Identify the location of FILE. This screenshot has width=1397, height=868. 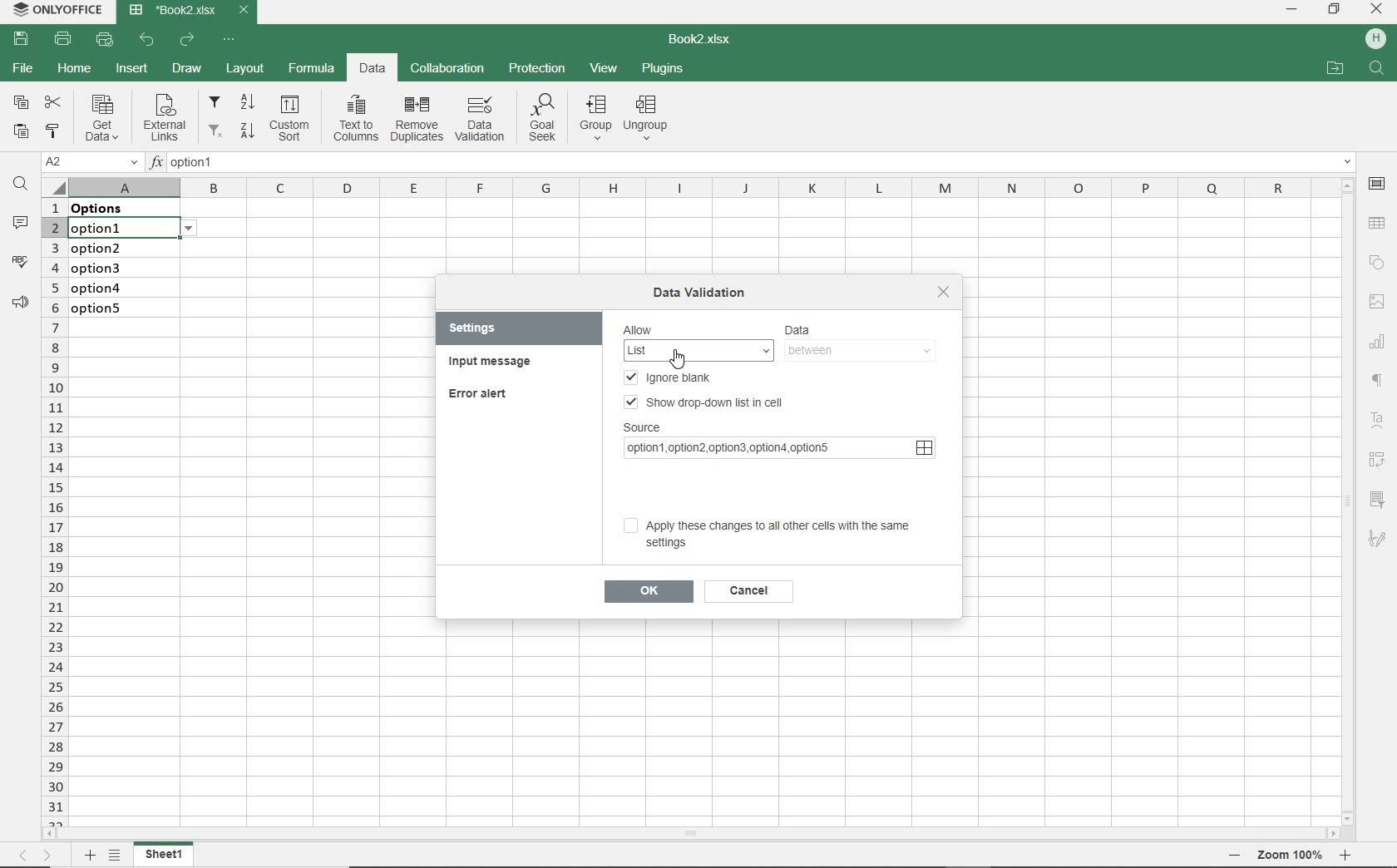
(22, 71).